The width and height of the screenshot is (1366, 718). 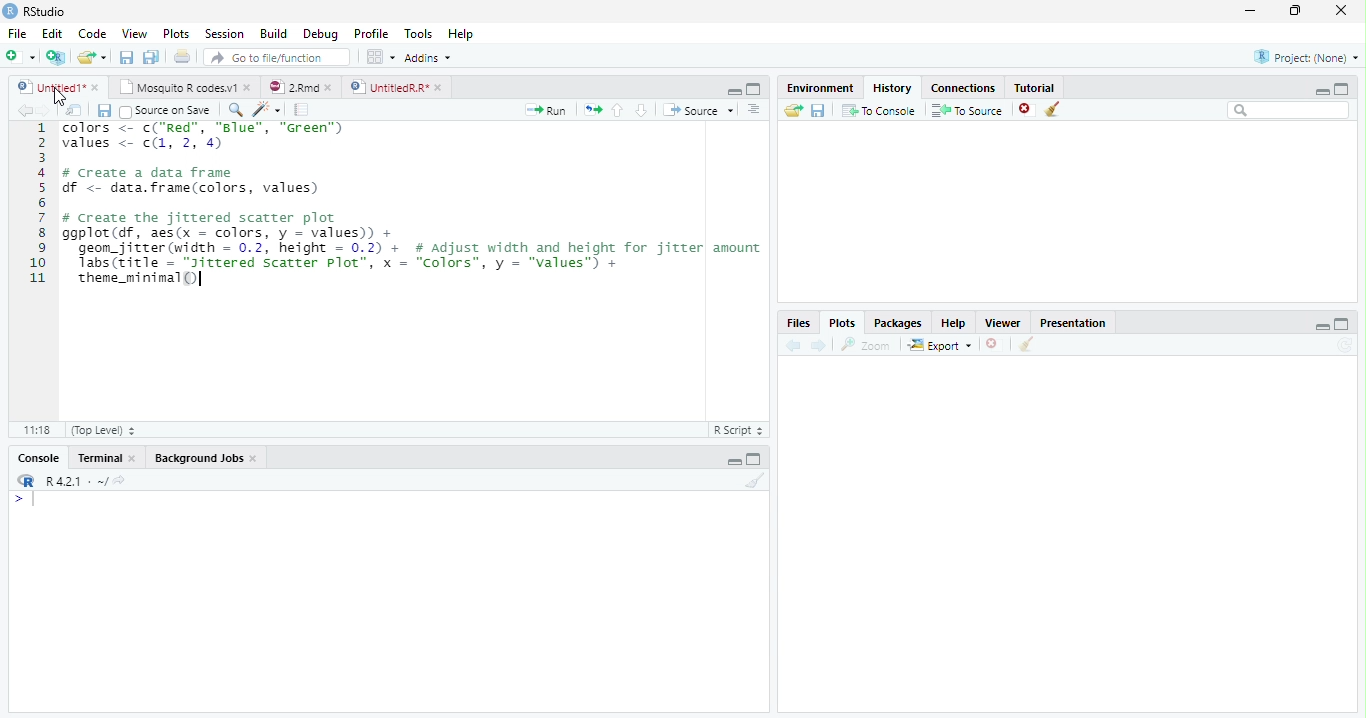 I want to click on Compile Report, so click(x=302, y=111).